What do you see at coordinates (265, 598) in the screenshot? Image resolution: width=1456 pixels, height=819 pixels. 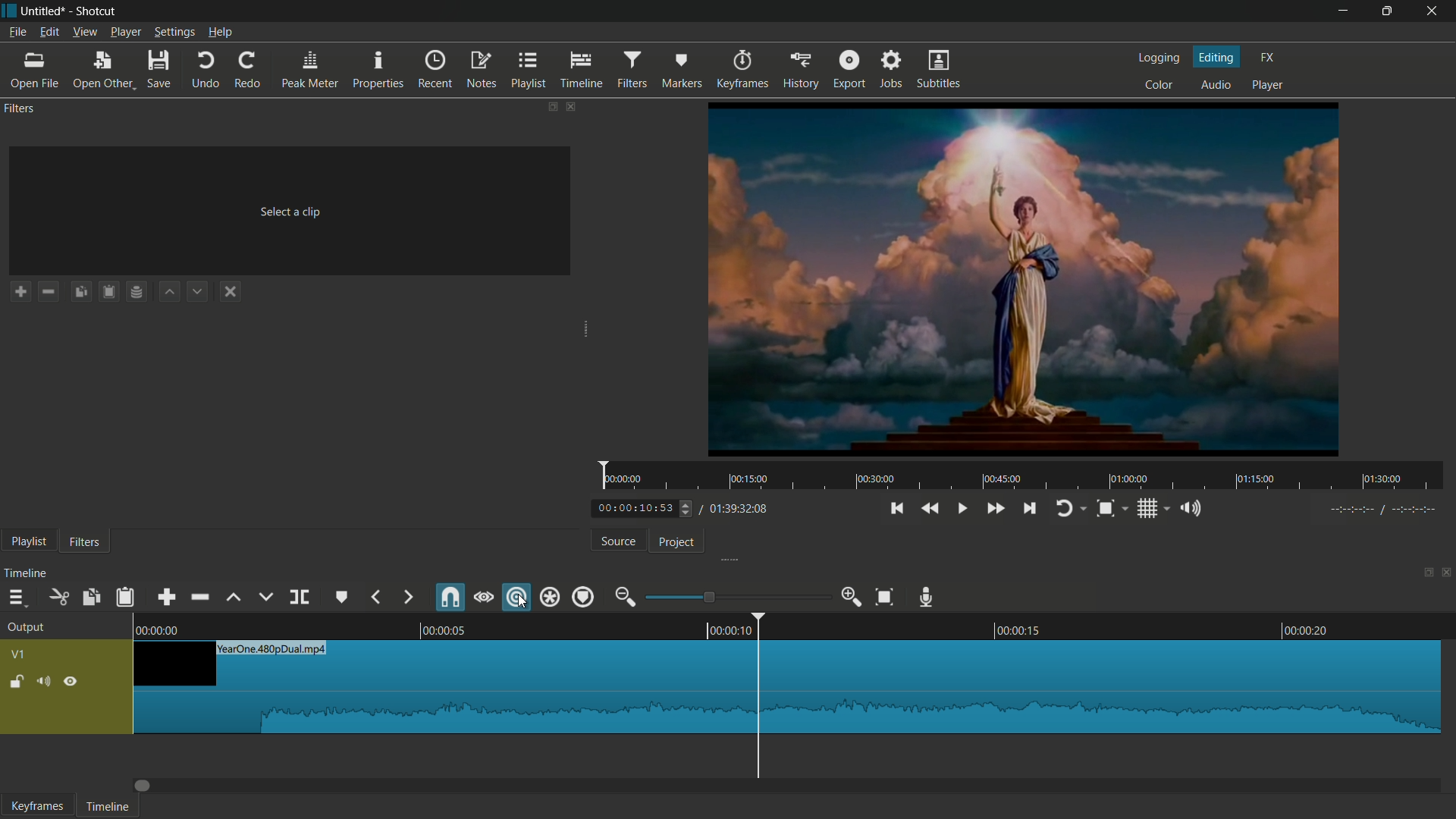 I see `overwrite` at bounding box center [265, 598].